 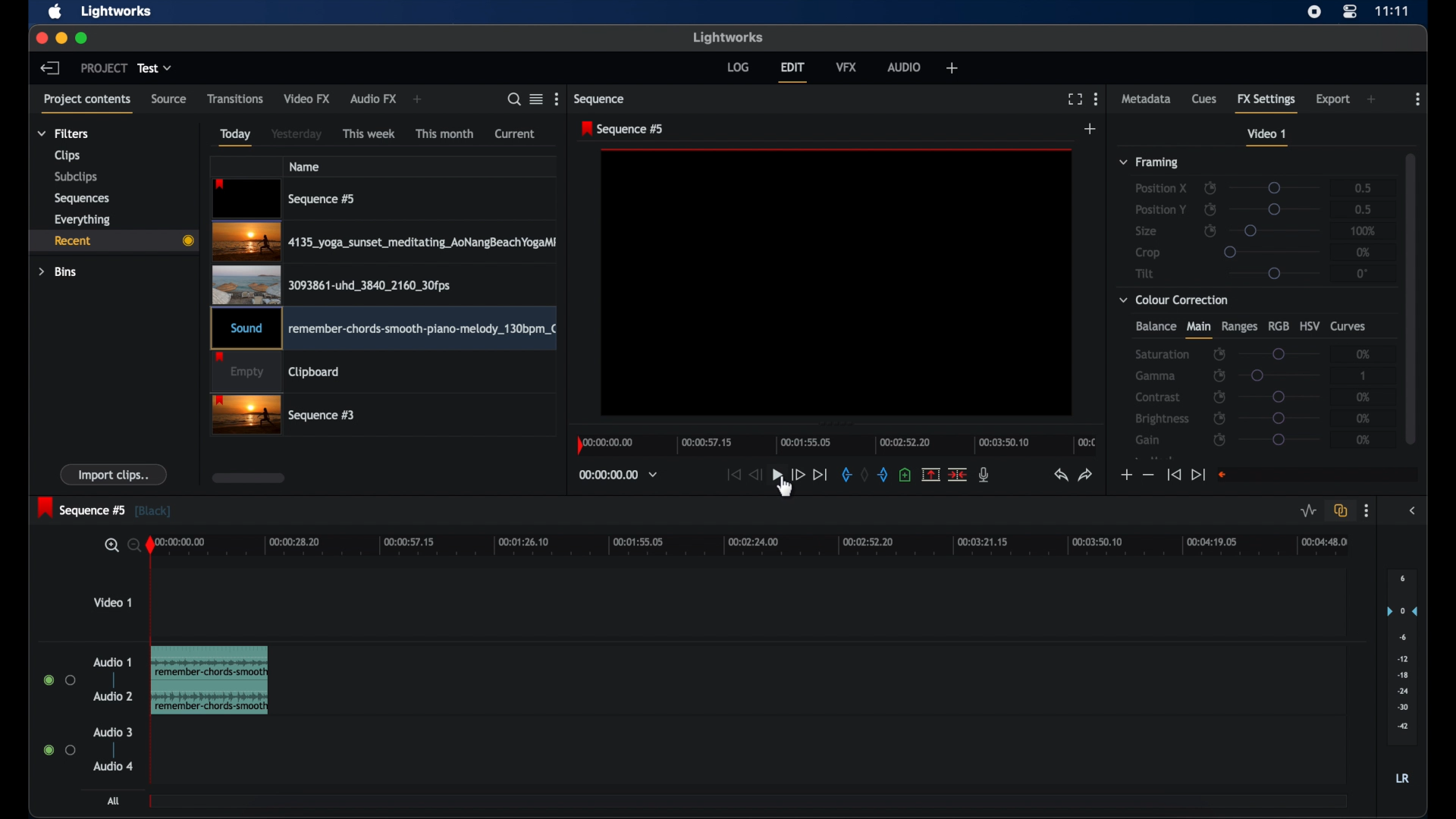 What do you see at coordinates (904, 67) in the screenshot?
I see `audio` at bounding box center [904, 67].